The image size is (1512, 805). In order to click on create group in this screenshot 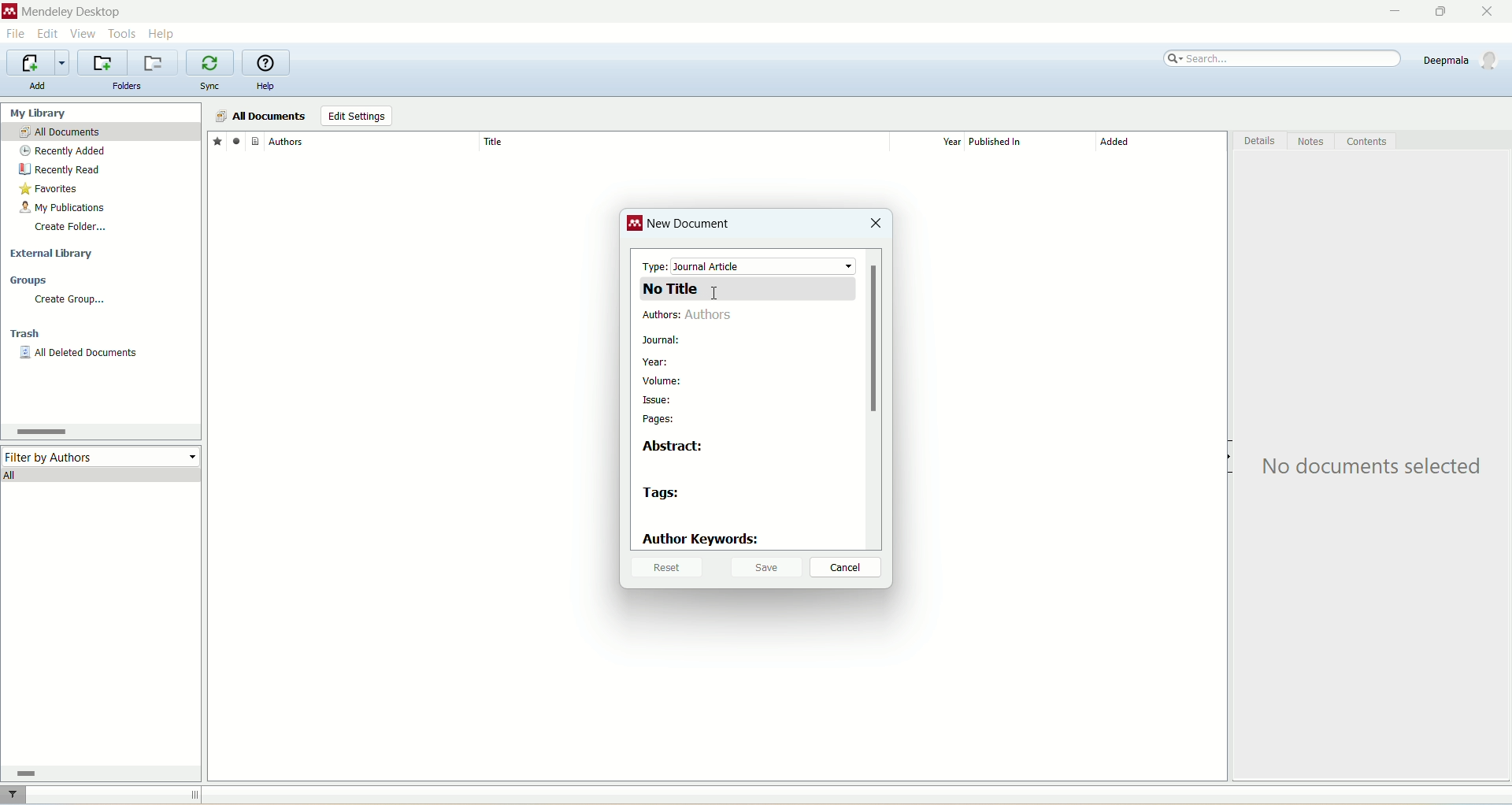, I will do `click(69, 299)`.